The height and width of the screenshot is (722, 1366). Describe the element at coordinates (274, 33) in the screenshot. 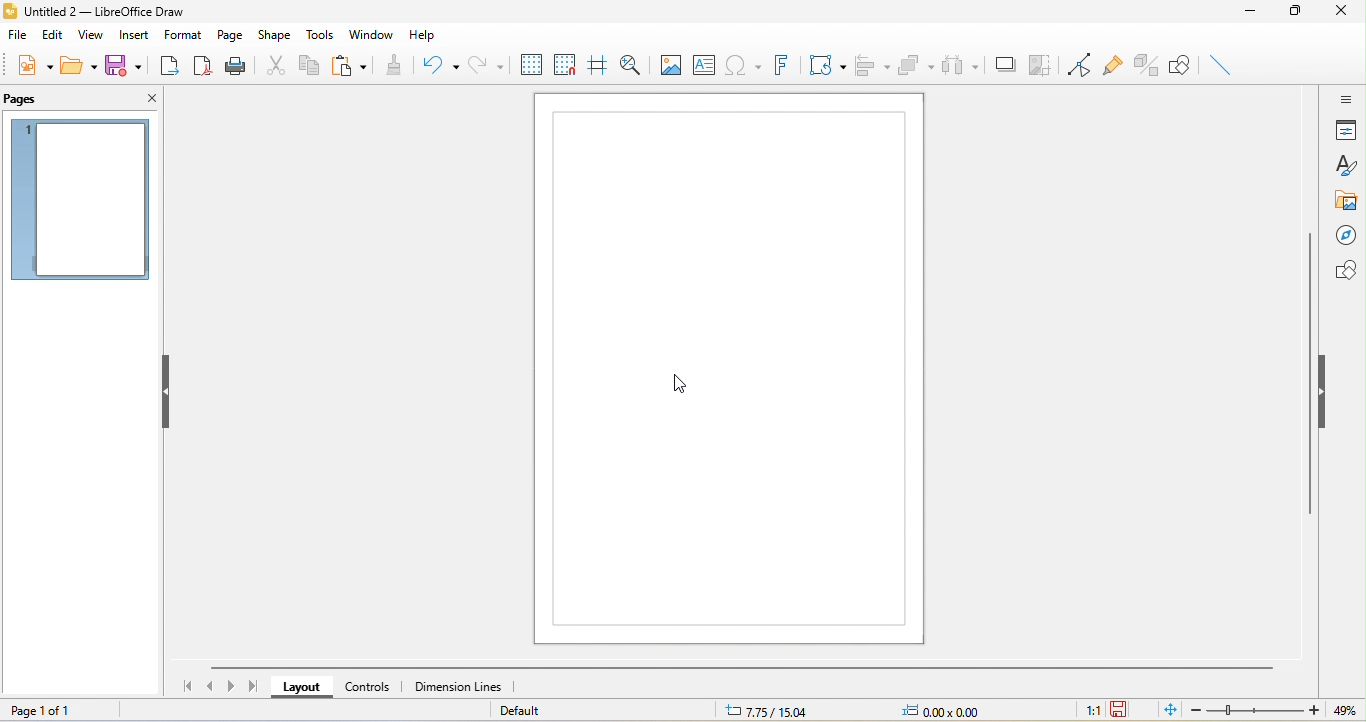

I see `shape` at that location.